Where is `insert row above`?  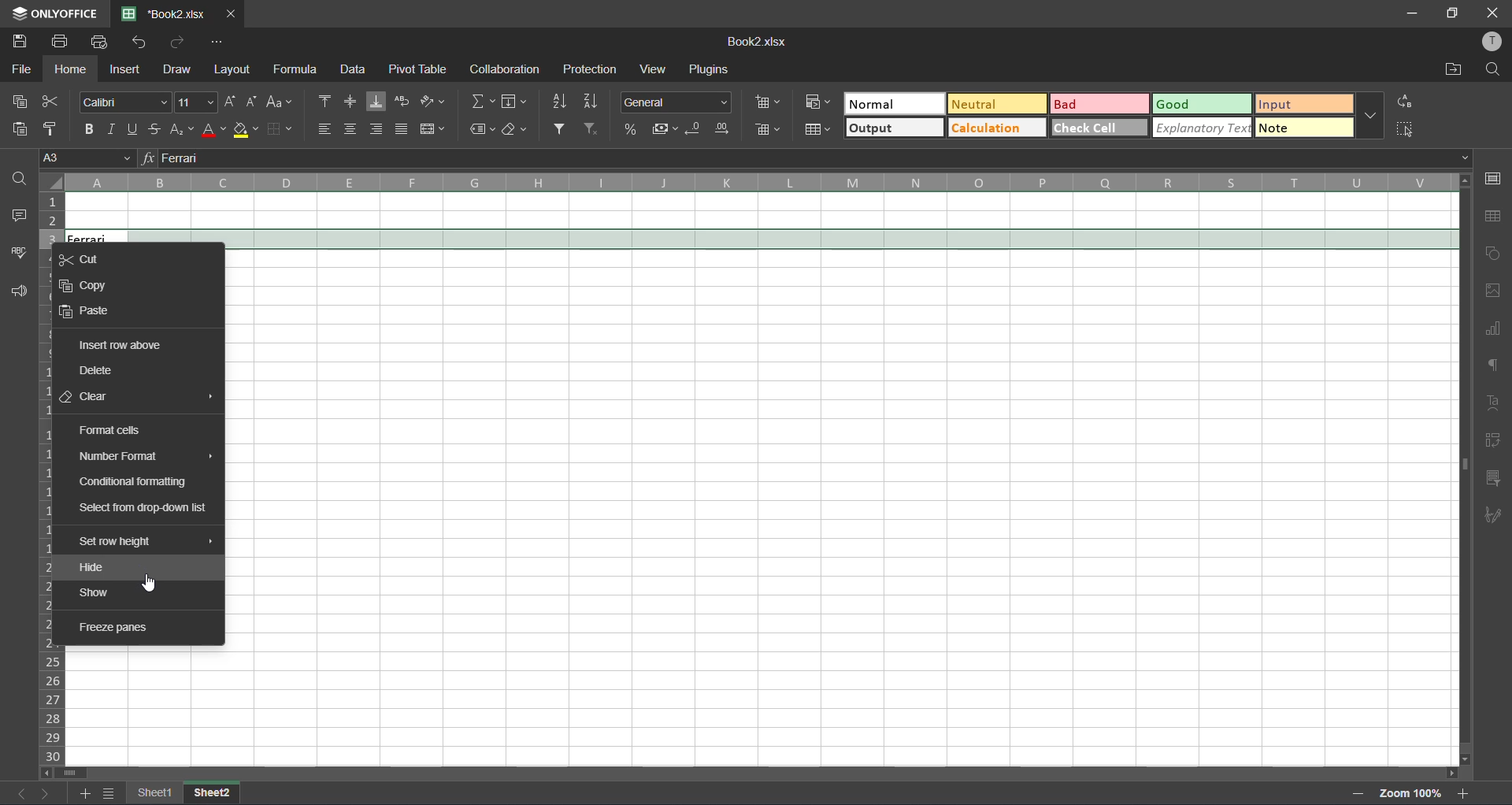
insert row above is located at coordinates (120, 345).